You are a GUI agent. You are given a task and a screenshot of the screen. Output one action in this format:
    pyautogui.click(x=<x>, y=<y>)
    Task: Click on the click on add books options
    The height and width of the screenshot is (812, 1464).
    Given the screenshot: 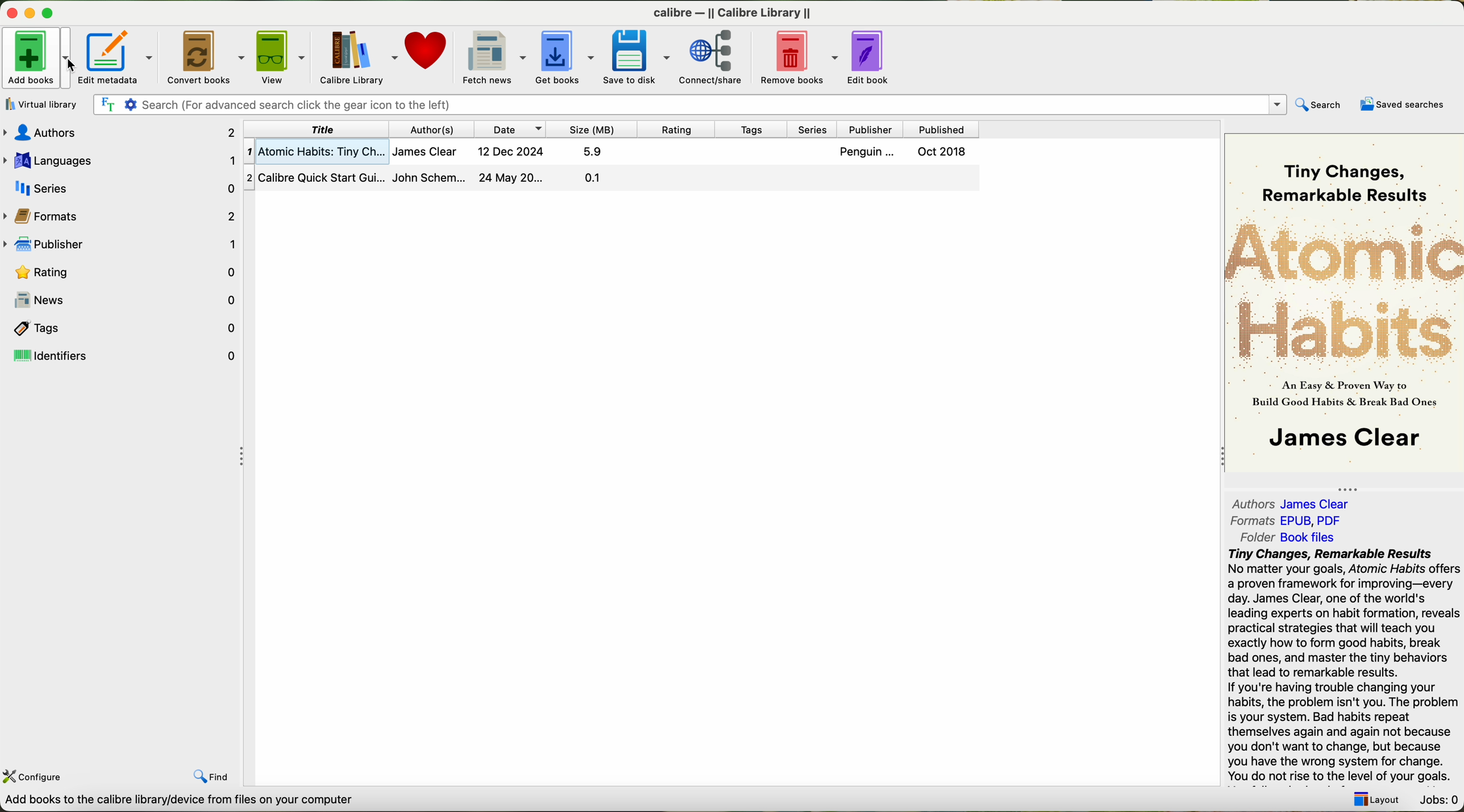 What is the action you would take?
    pyautogui.click(x=38, y=57)
    